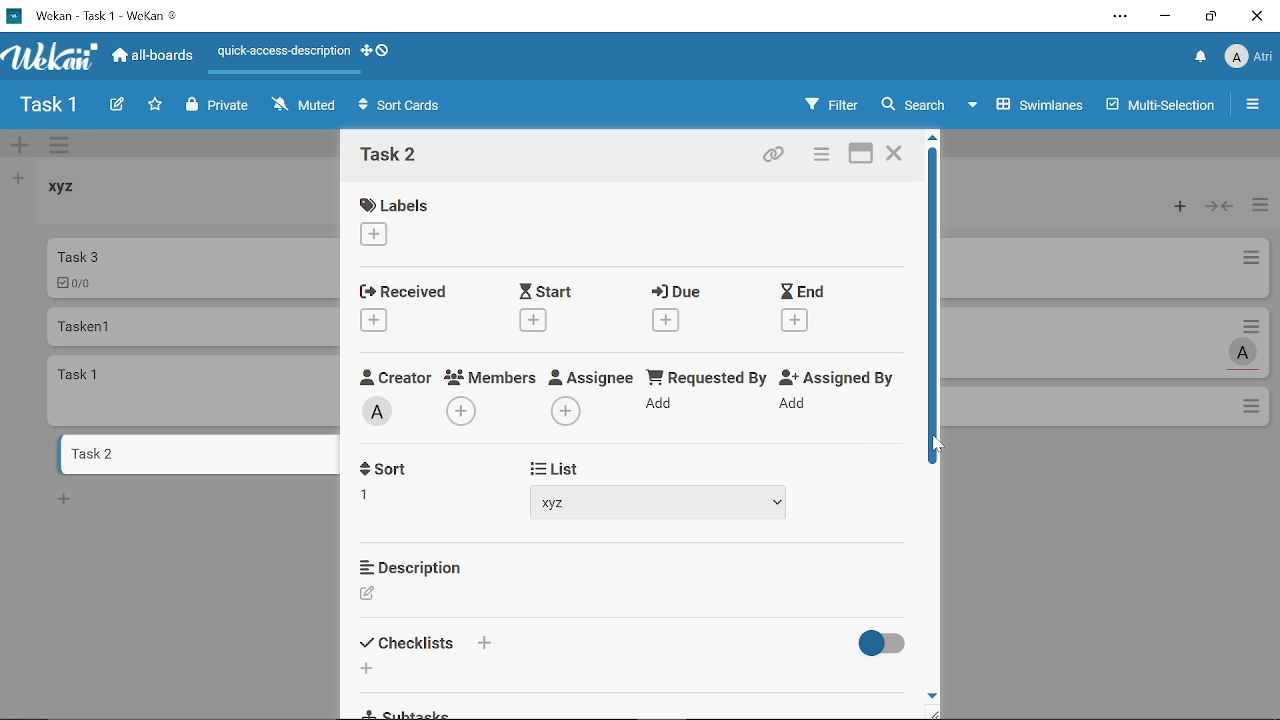  Describe the element at coordinates (557, 468) in the screenshot. I see `List` at that location.